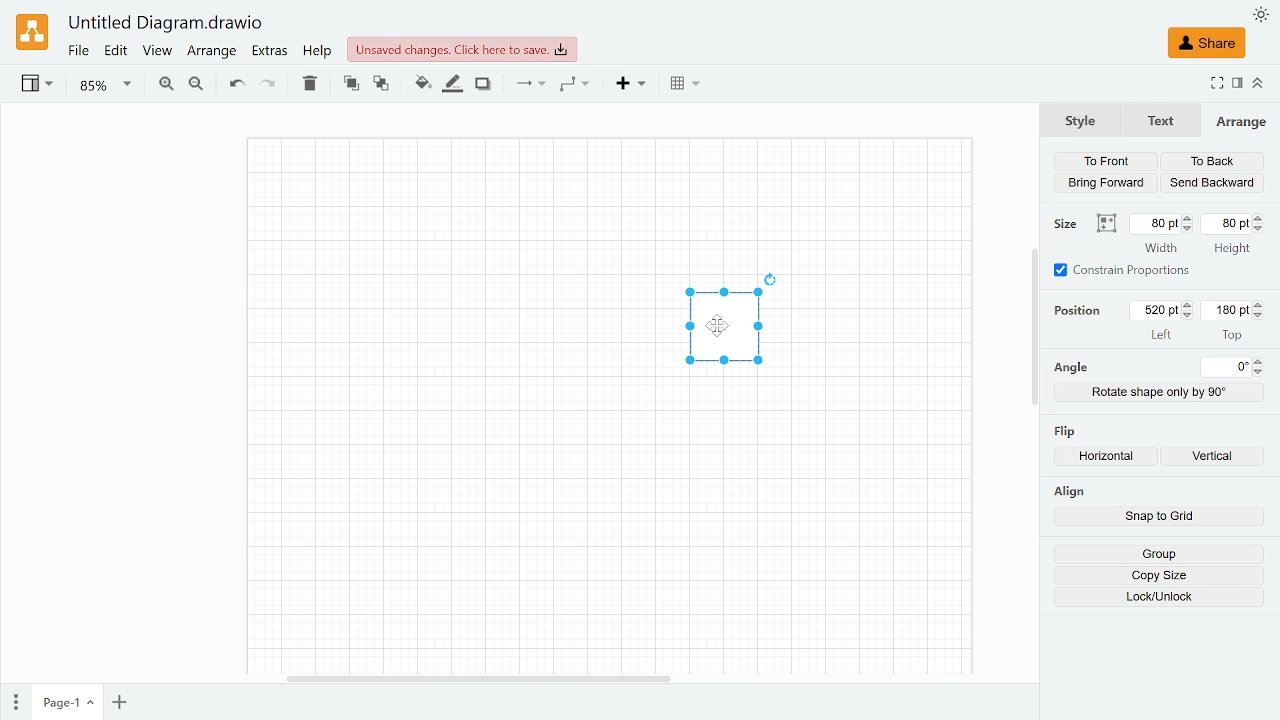 This screenshot has width=1280, height=720. I want to click on top, so click(1232, 334).